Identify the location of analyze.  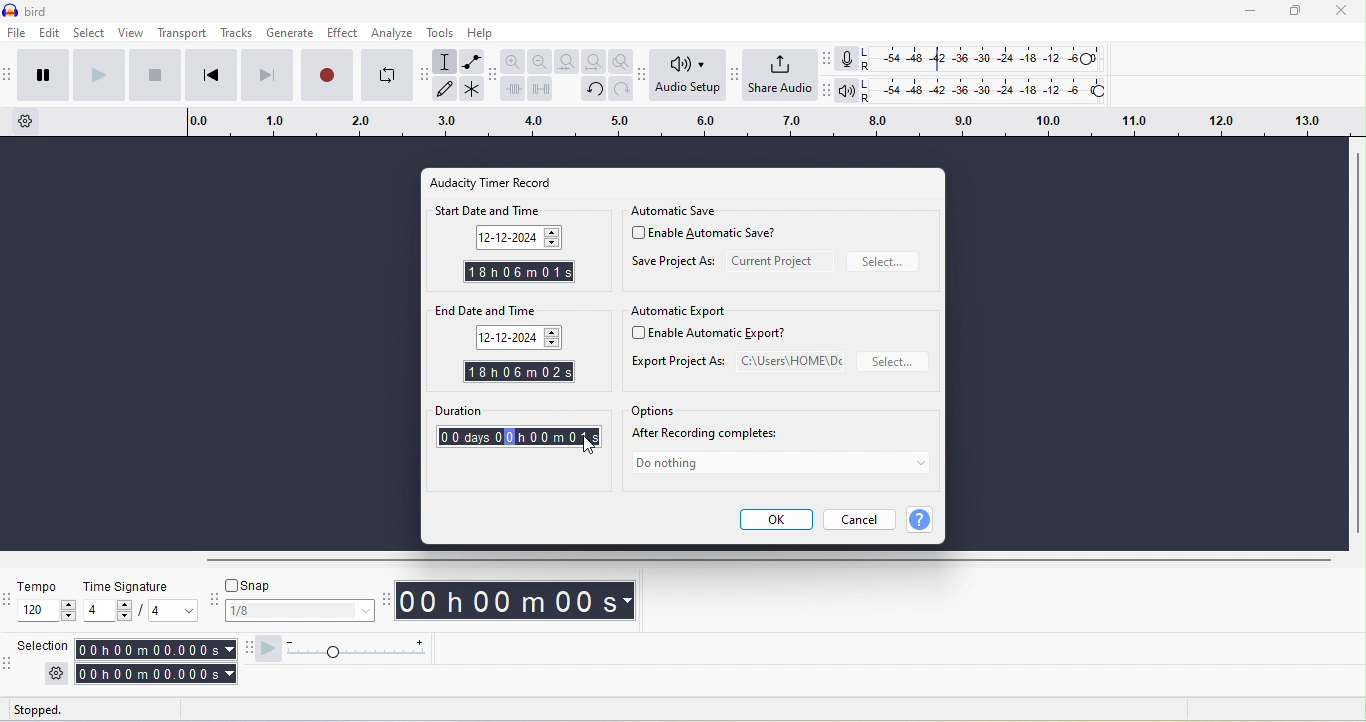
(392, 33).